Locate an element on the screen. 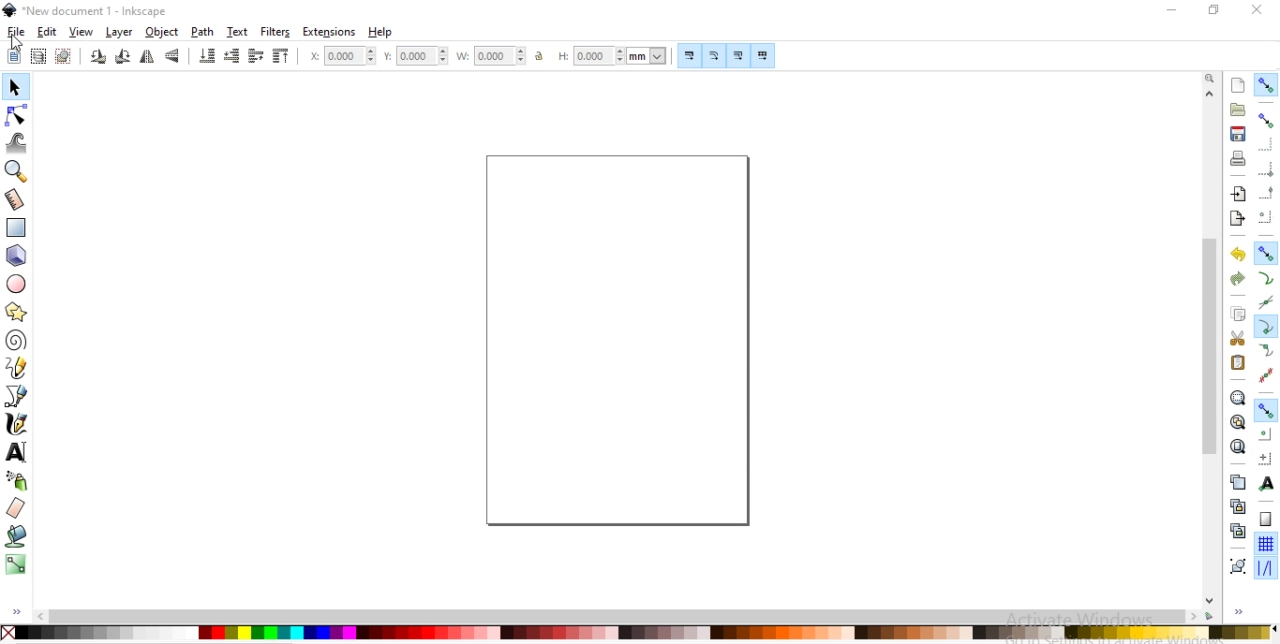 The image size is (1280, 644). export a document is located at coordinates (1237, 219).